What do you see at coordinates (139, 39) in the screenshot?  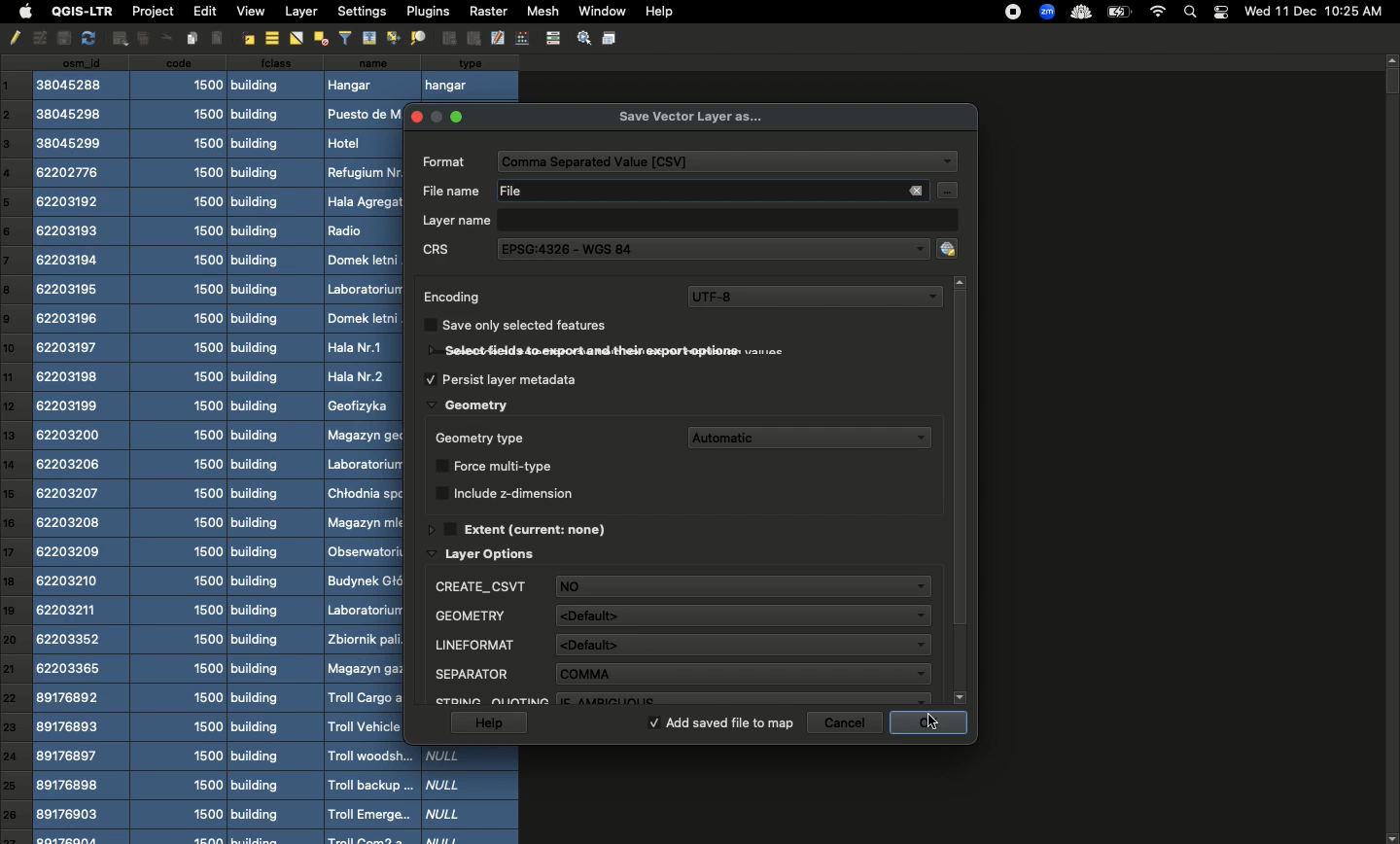 I see `Insert Text Box` at bounding box center [139, 39].